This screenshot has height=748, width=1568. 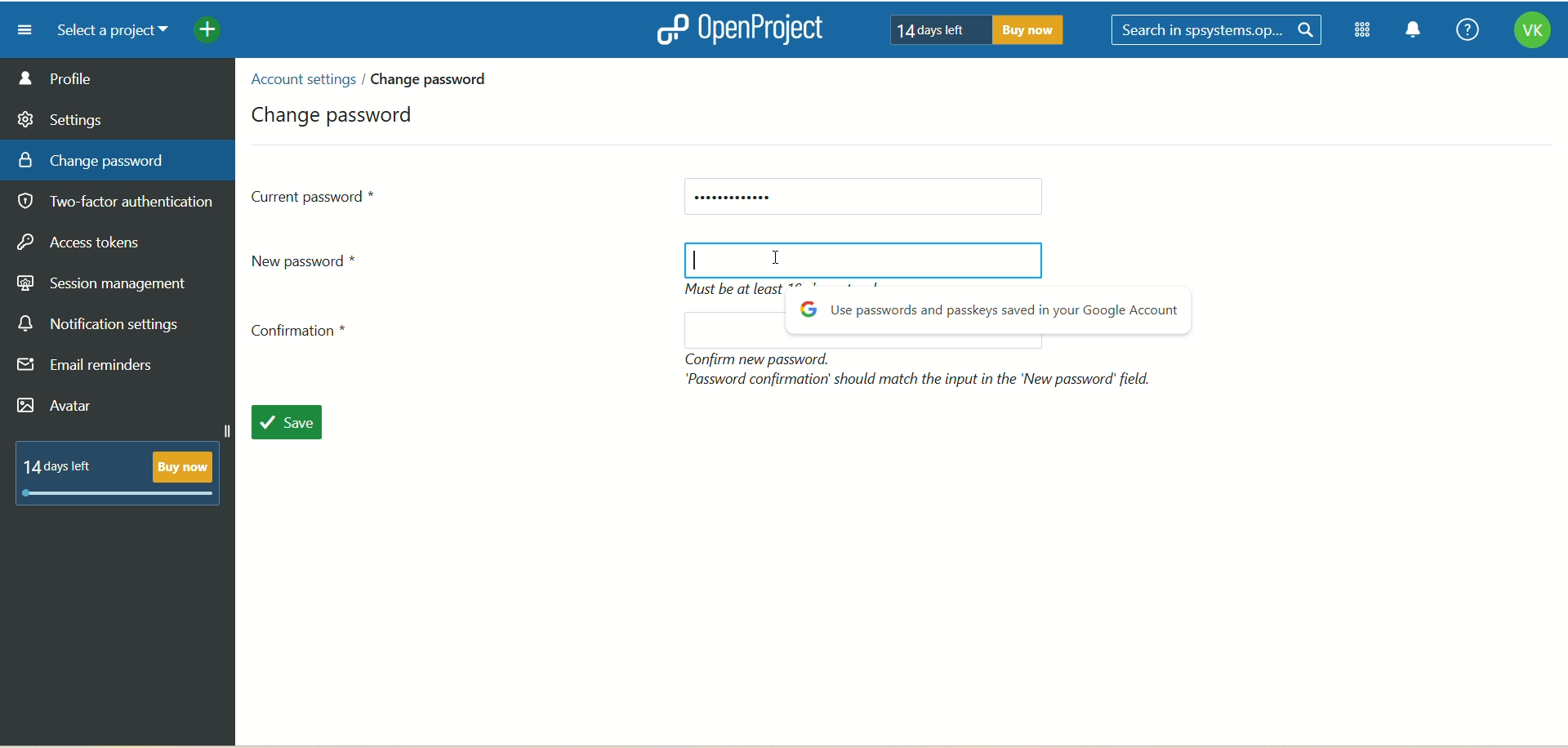 I want to click on cursor, so click(x=697, y=266).